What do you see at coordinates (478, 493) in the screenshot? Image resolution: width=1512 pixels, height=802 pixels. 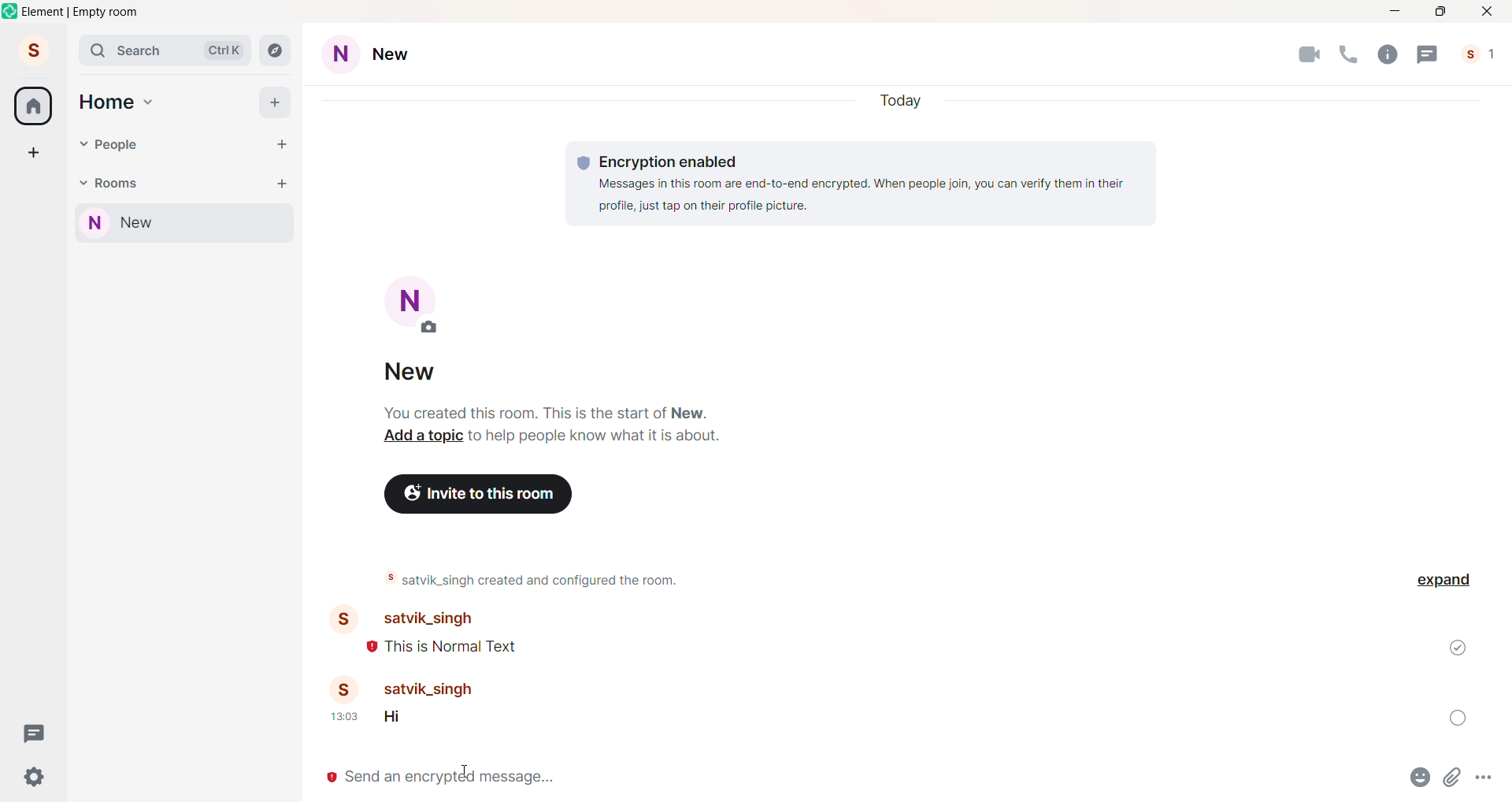 I see `Invite to this room` at bounding box center [478, 493].